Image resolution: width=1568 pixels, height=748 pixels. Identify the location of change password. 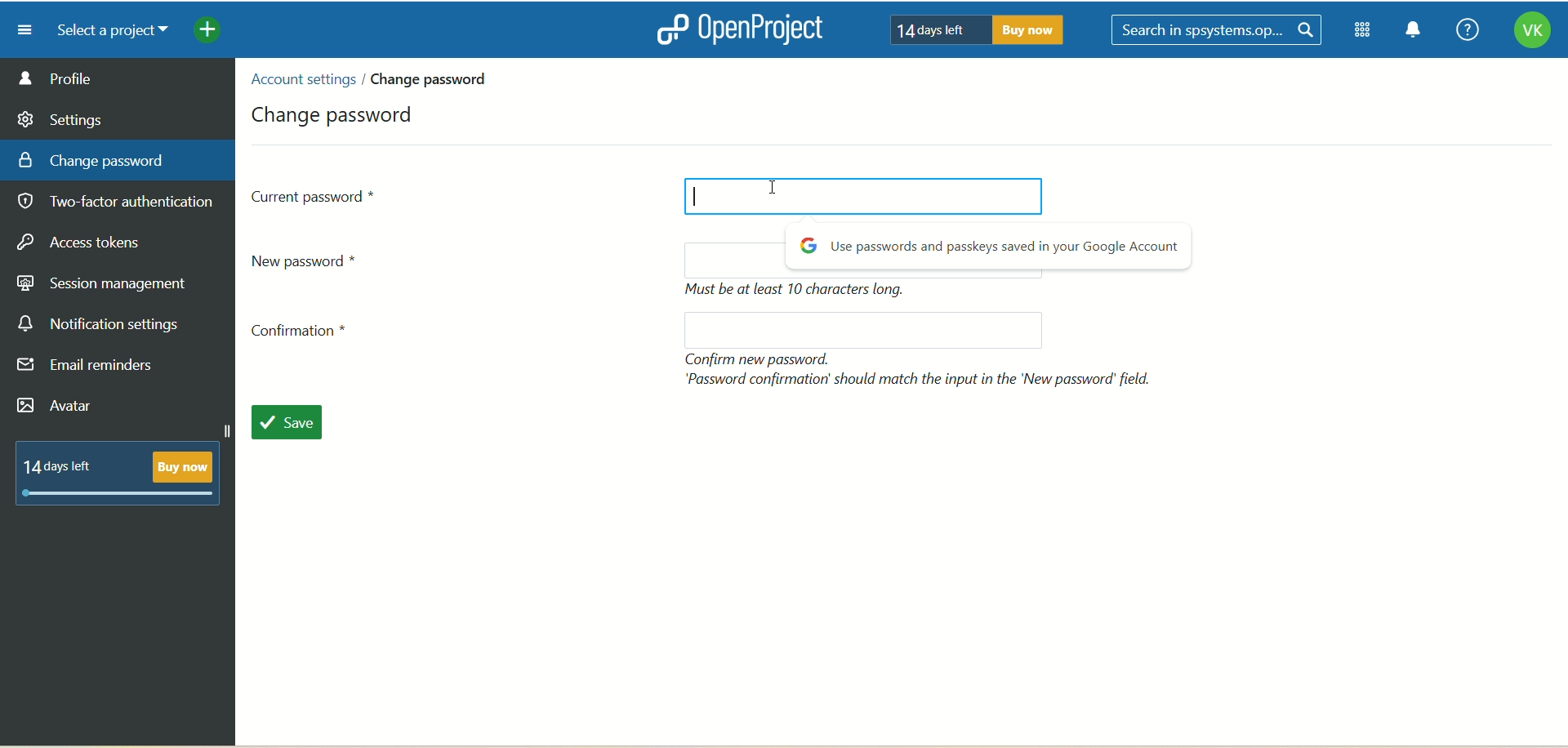
(91, 159).